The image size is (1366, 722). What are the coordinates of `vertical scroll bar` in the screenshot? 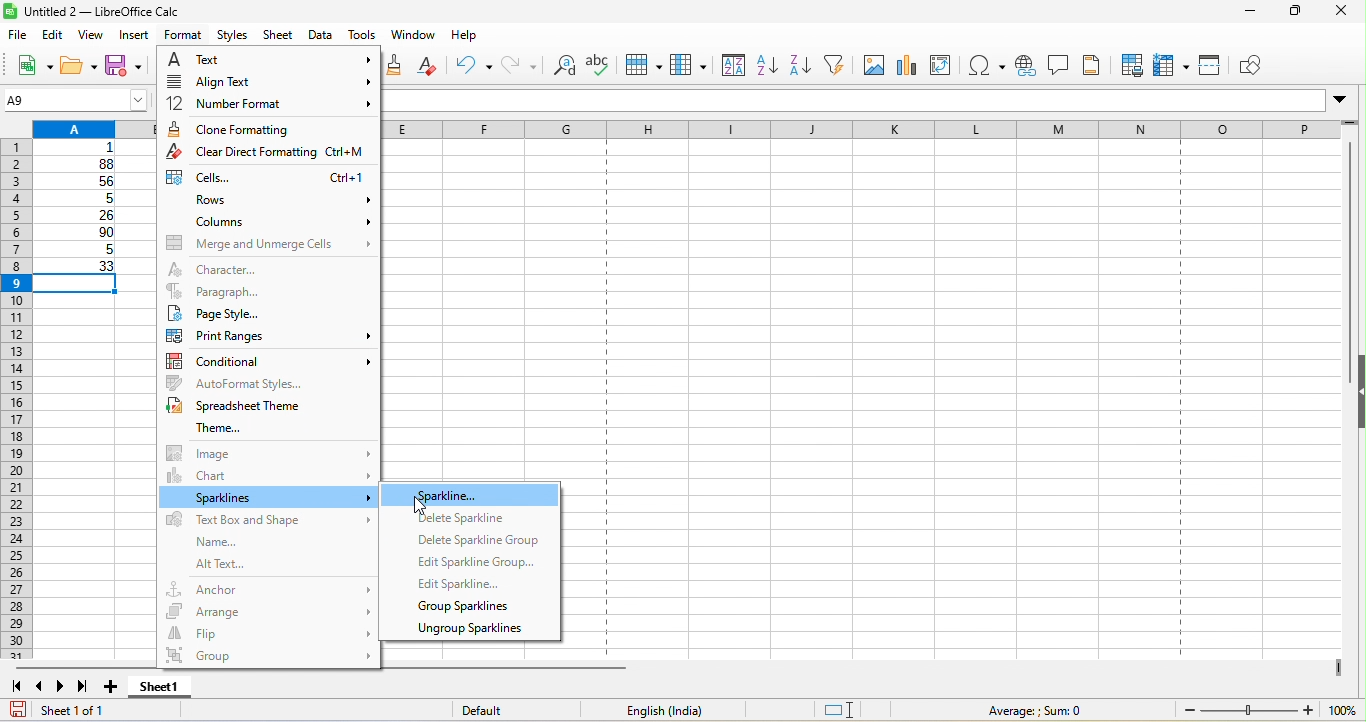 It's located at (1346, 262).